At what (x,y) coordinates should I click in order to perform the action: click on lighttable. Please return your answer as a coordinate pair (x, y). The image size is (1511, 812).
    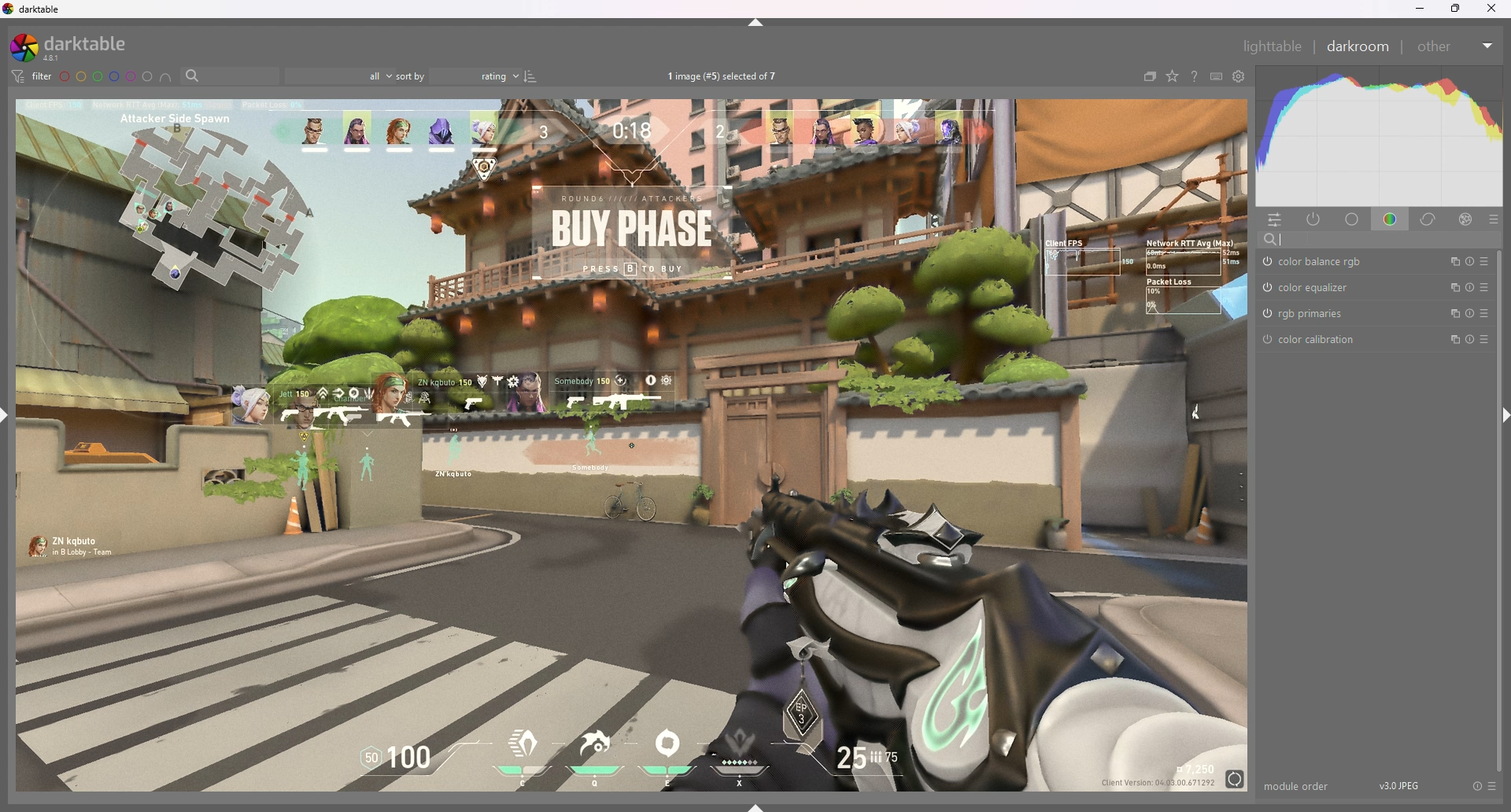
    Looking at the image, I should click on (1273, 46).